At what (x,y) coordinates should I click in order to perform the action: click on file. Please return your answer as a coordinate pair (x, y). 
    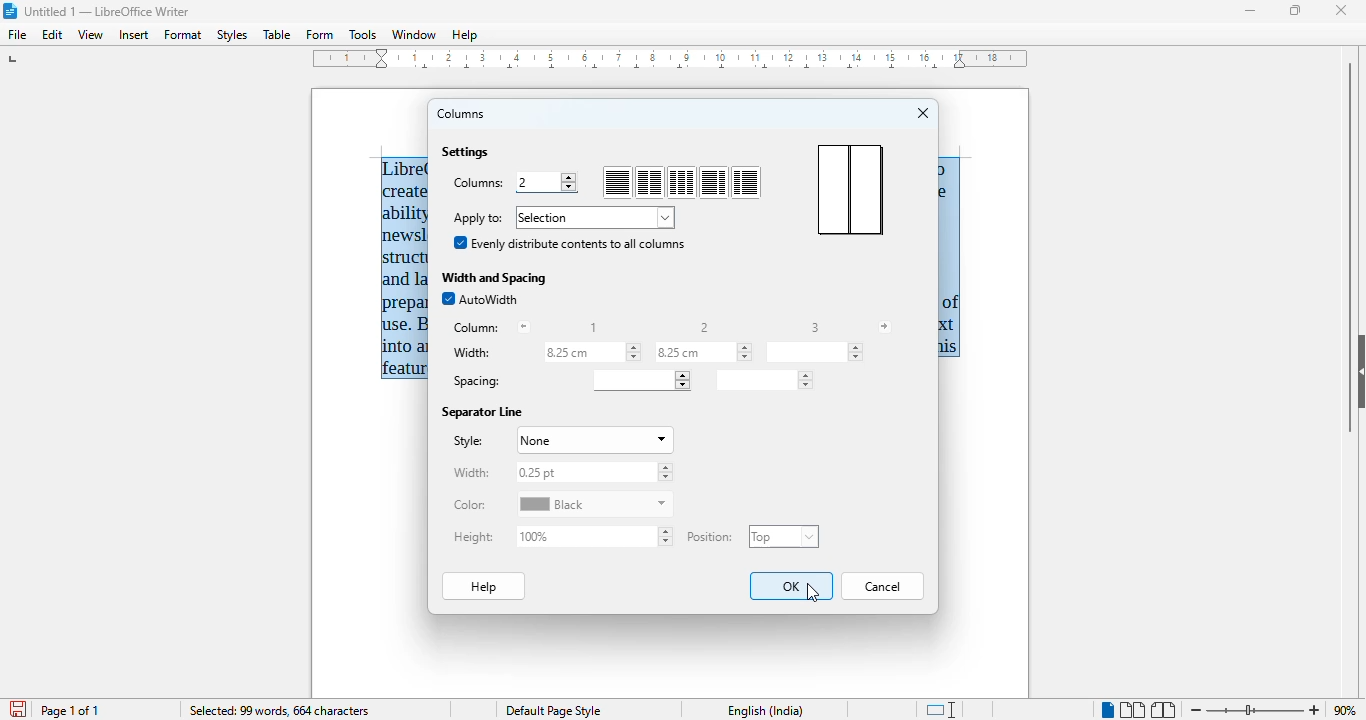
    Looking at the image, I should click on (19, 35).